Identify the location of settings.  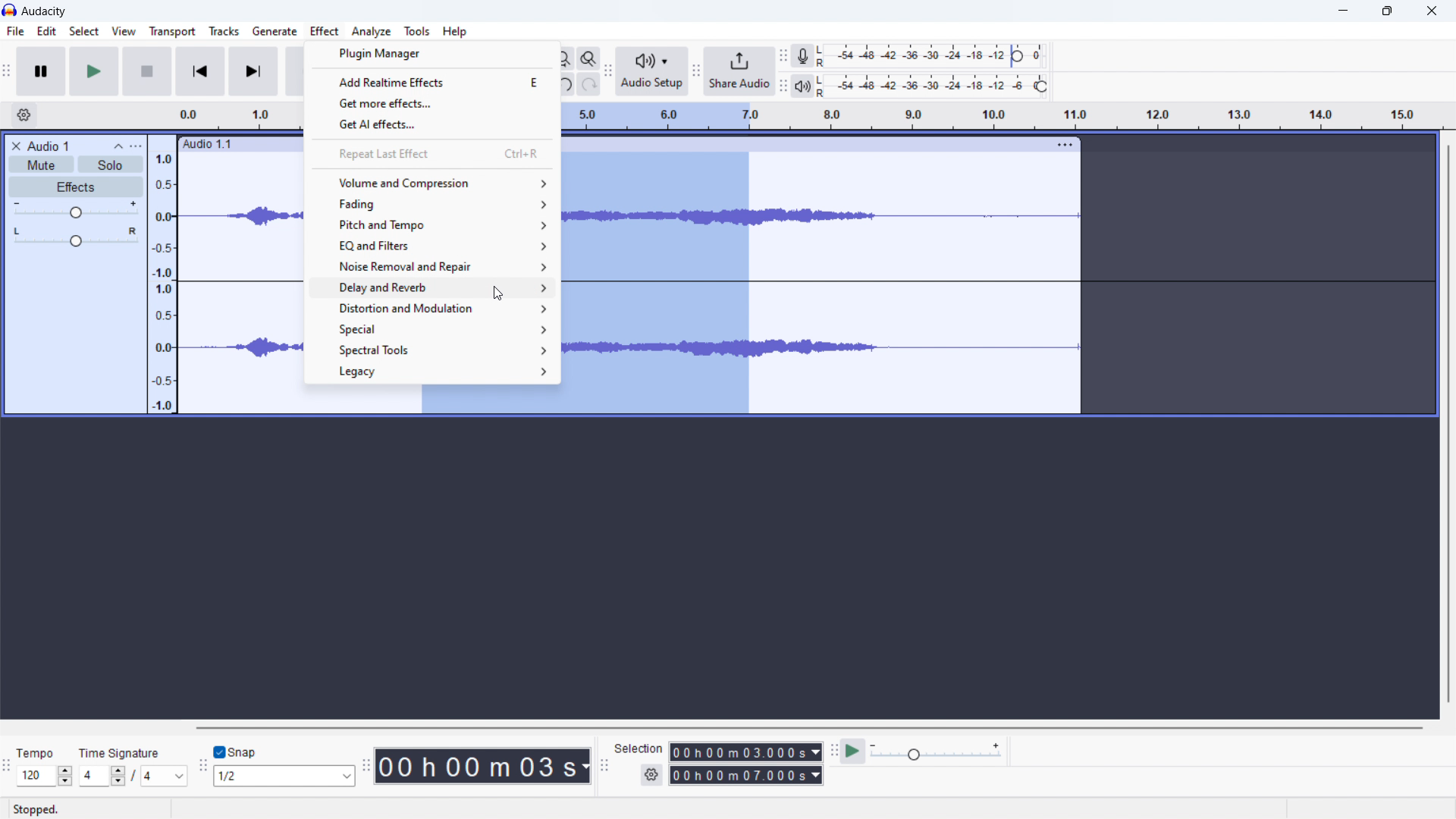
(651, 776).